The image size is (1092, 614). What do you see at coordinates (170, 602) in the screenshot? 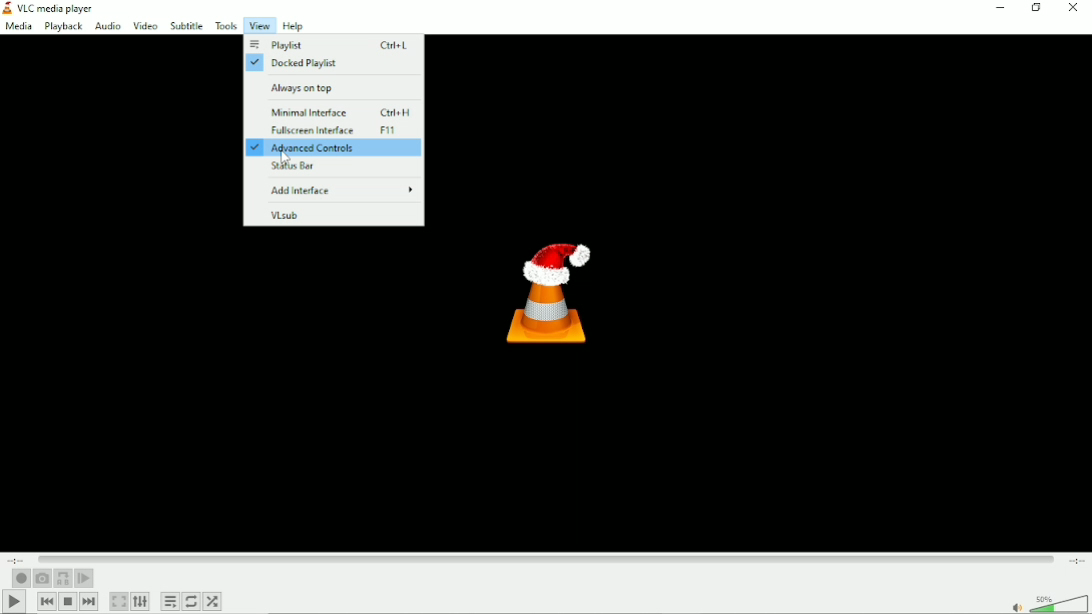
I see `Toggle playlist` at bounding box center [170, 602].